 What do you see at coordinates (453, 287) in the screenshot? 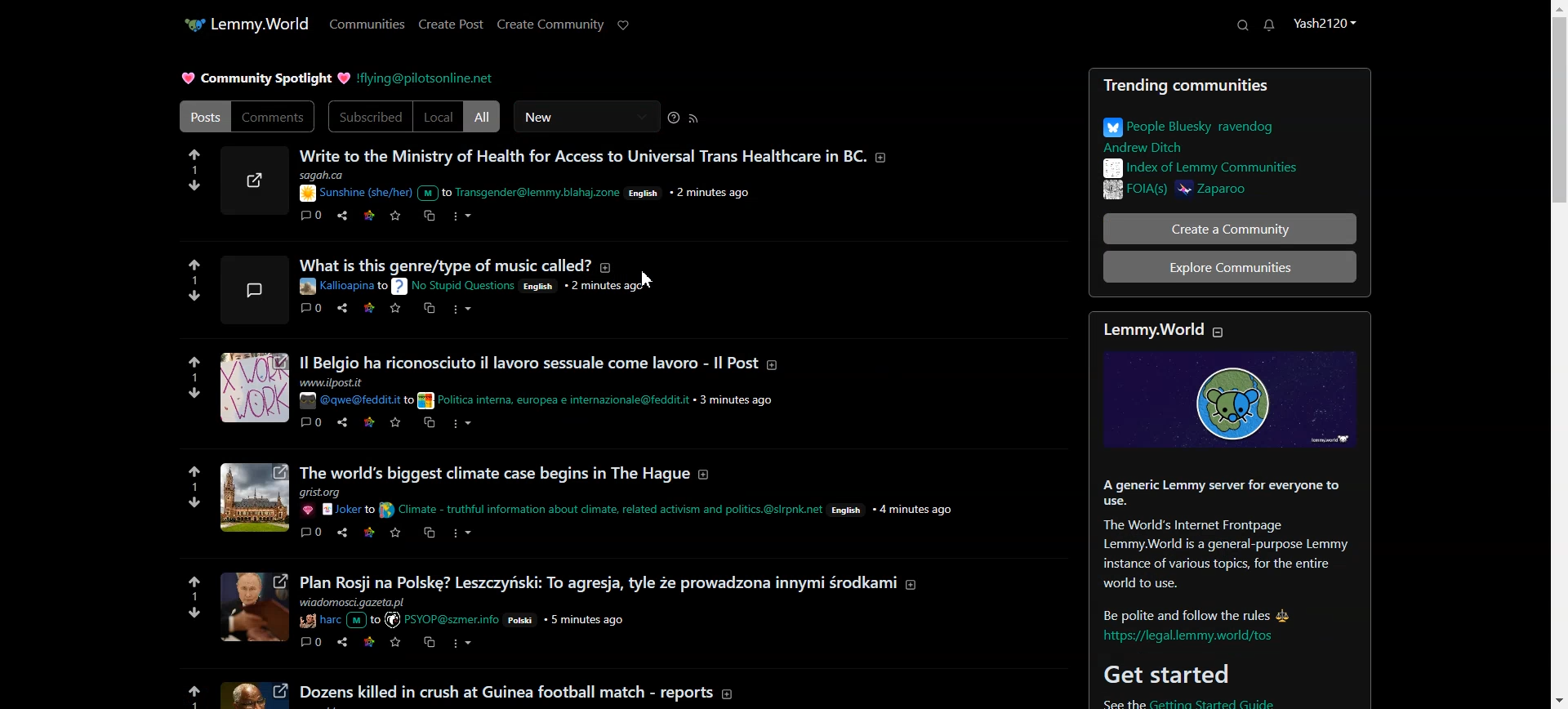
I see `Hyperlink` at bounding box center [453, 287].